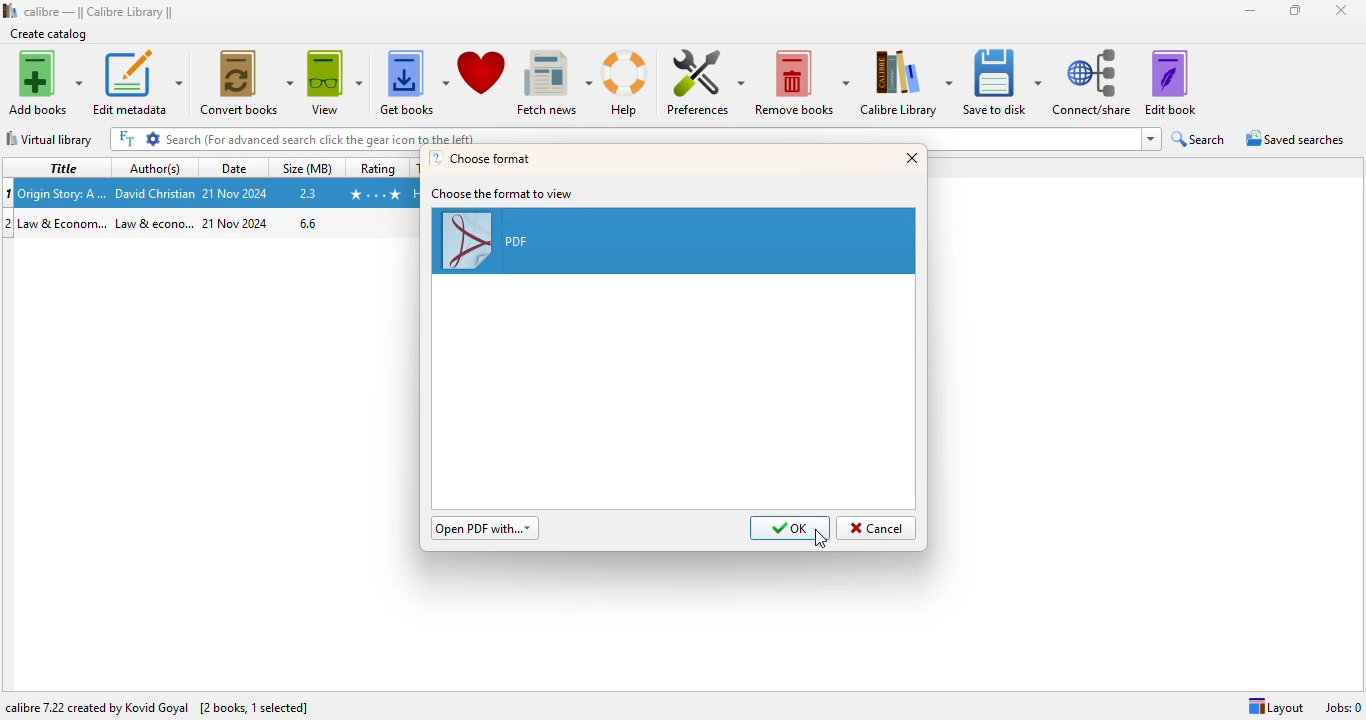 The height and width of the screenshot is (720, 1366). I want to click on get books, so click(414, 84).